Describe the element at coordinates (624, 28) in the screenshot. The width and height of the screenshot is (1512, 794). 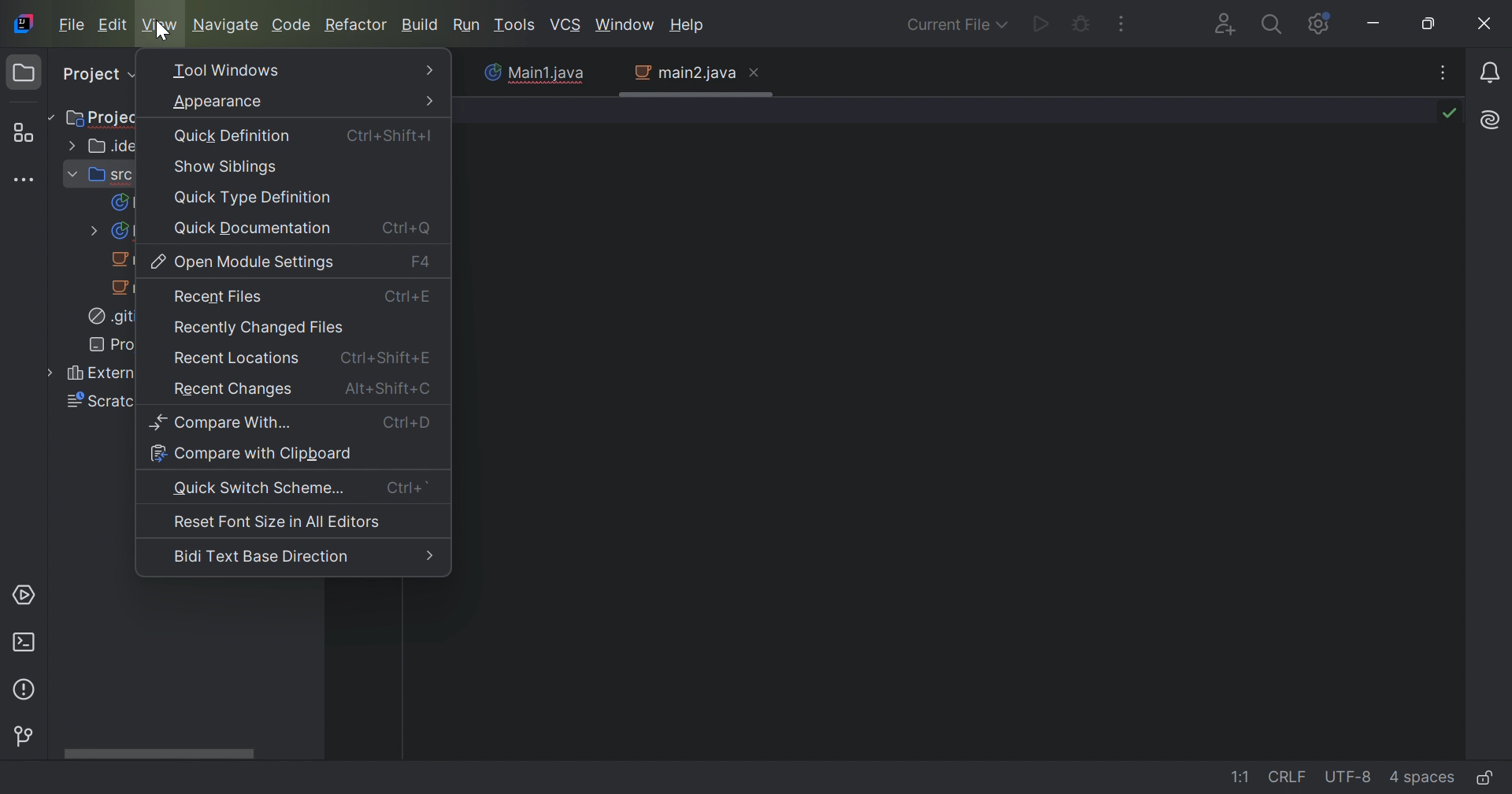
I see `Window` at that location.